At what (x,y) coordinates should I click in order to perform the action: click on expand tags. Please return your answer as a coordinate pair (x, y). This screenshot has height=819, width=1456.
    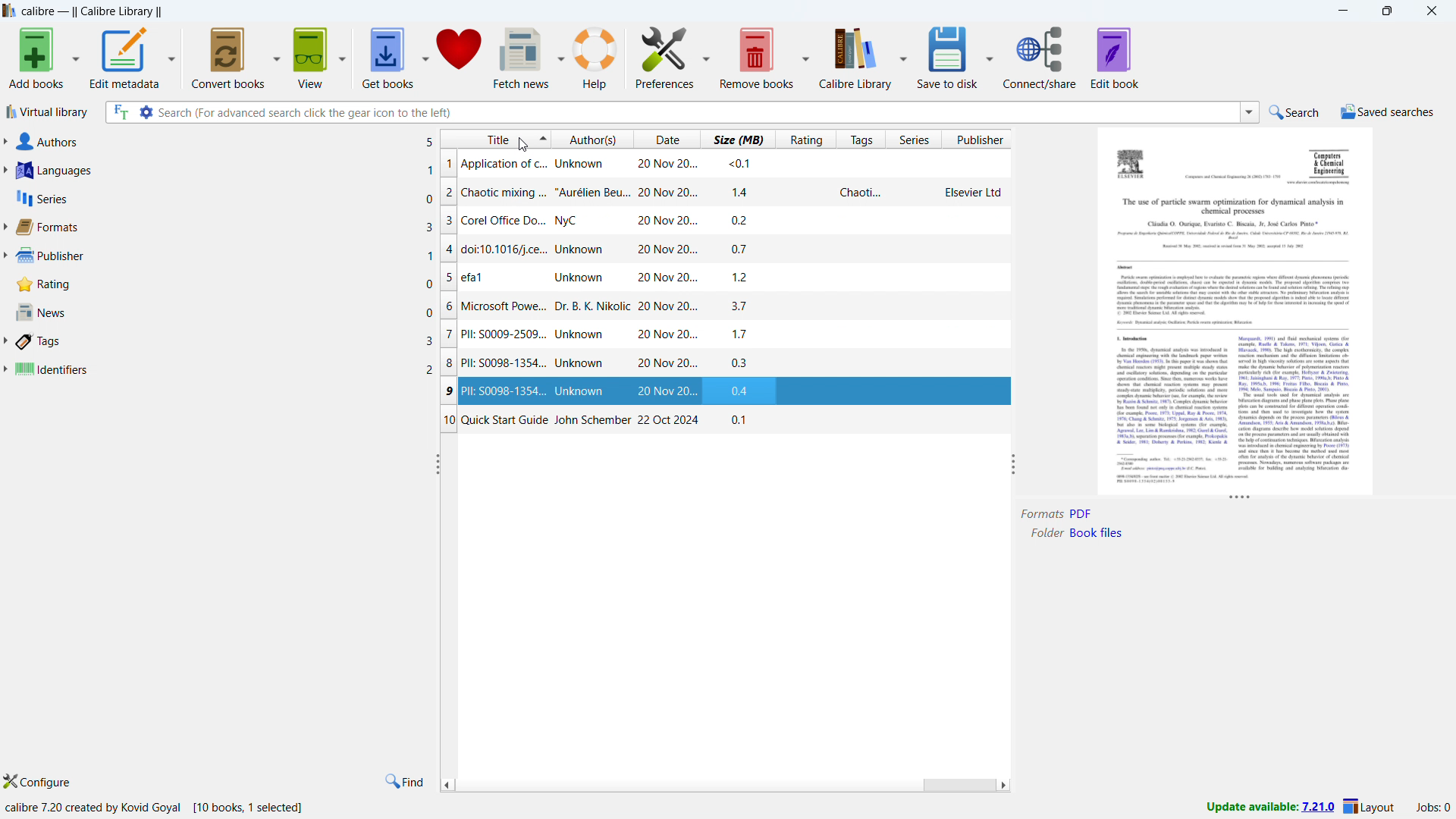
    Looking at the image, I should click on (6, 340).